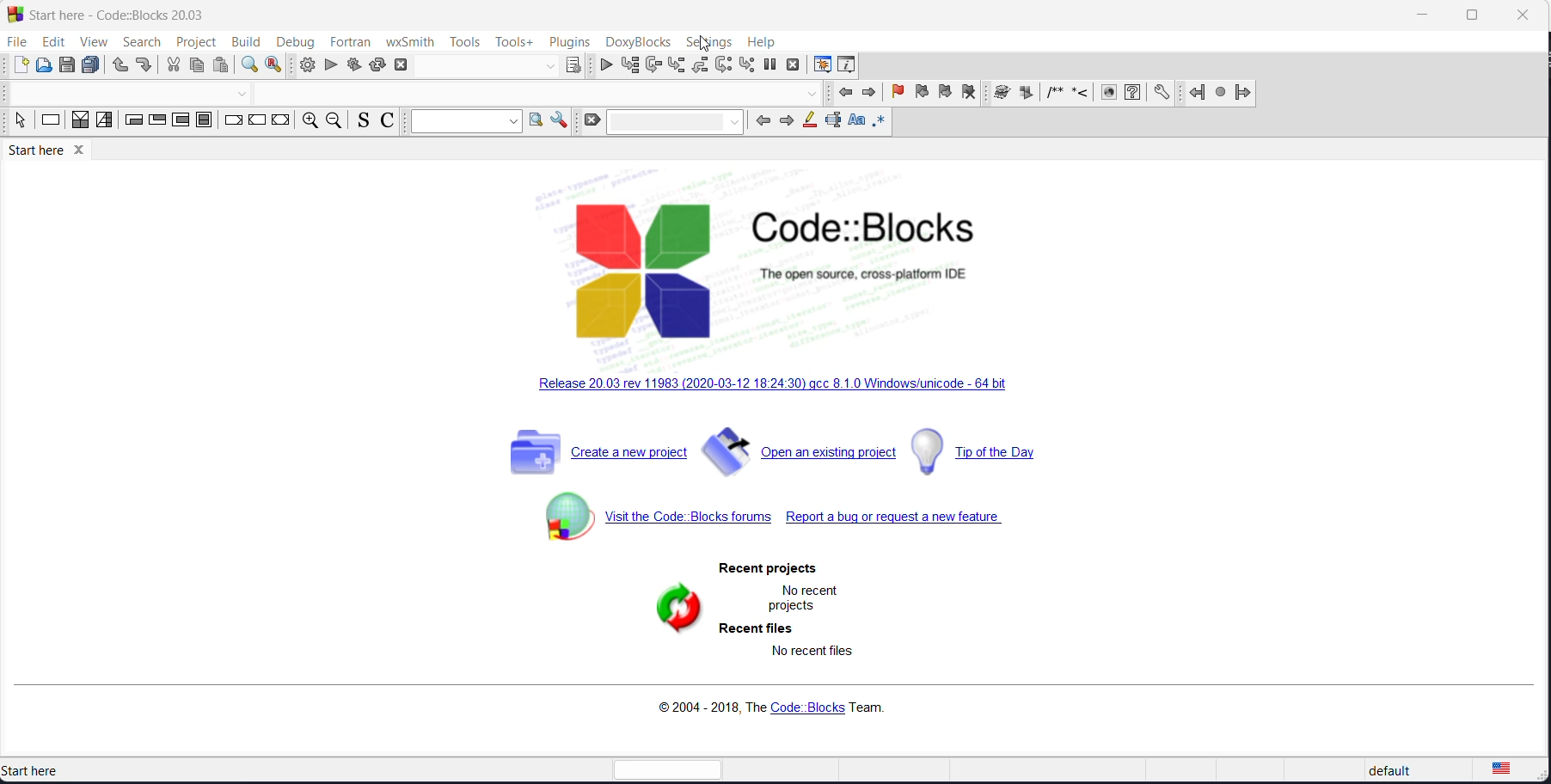 Image resolution: width=1551 pixels, height=784 pixels. What do you see at coordinates (606, 64) in the screenshot?
I see `continue debugging` at bounding box center [606, 64].